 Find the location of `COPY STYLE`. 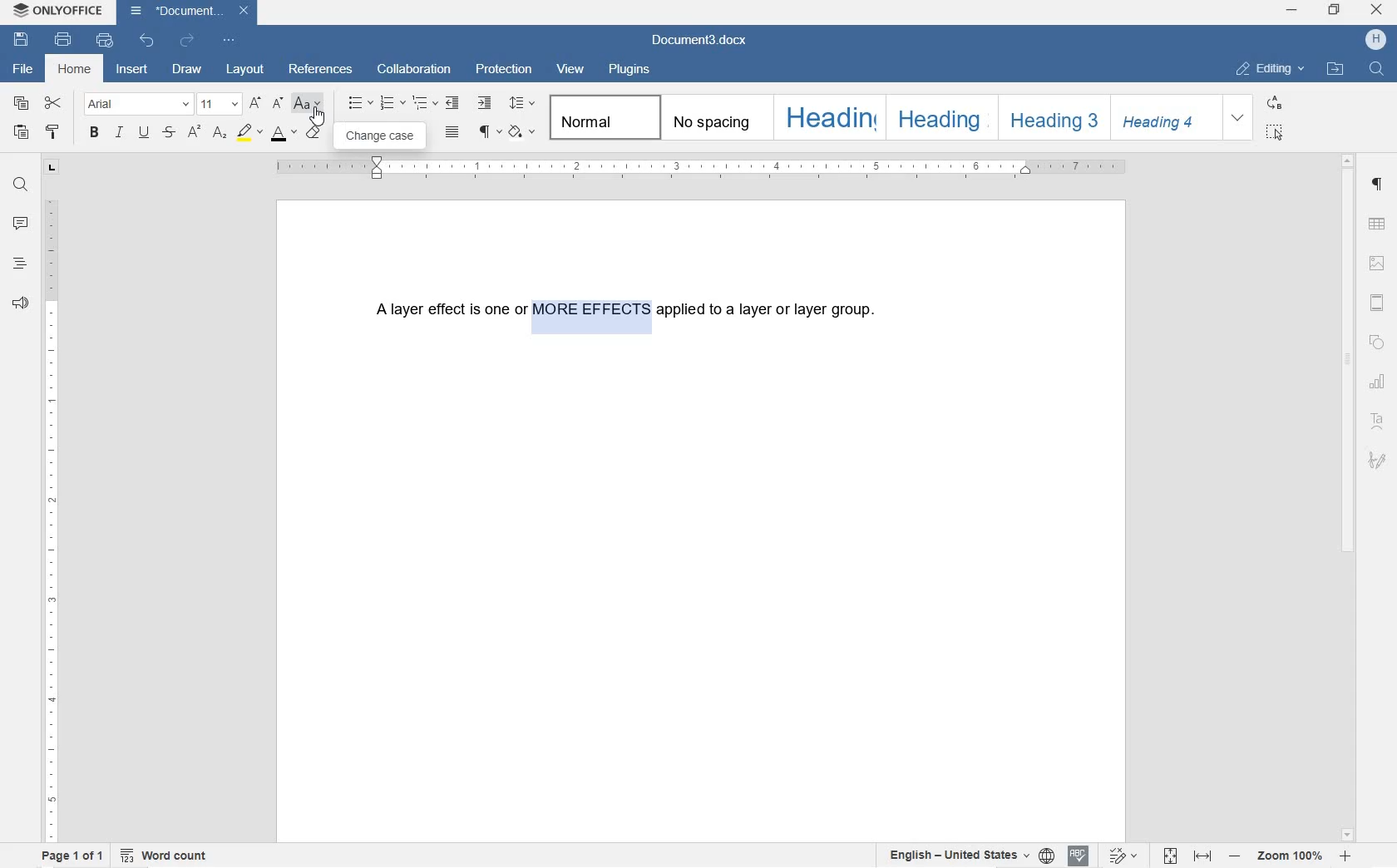

COPY STYLE is located at coordinates (54, 133).